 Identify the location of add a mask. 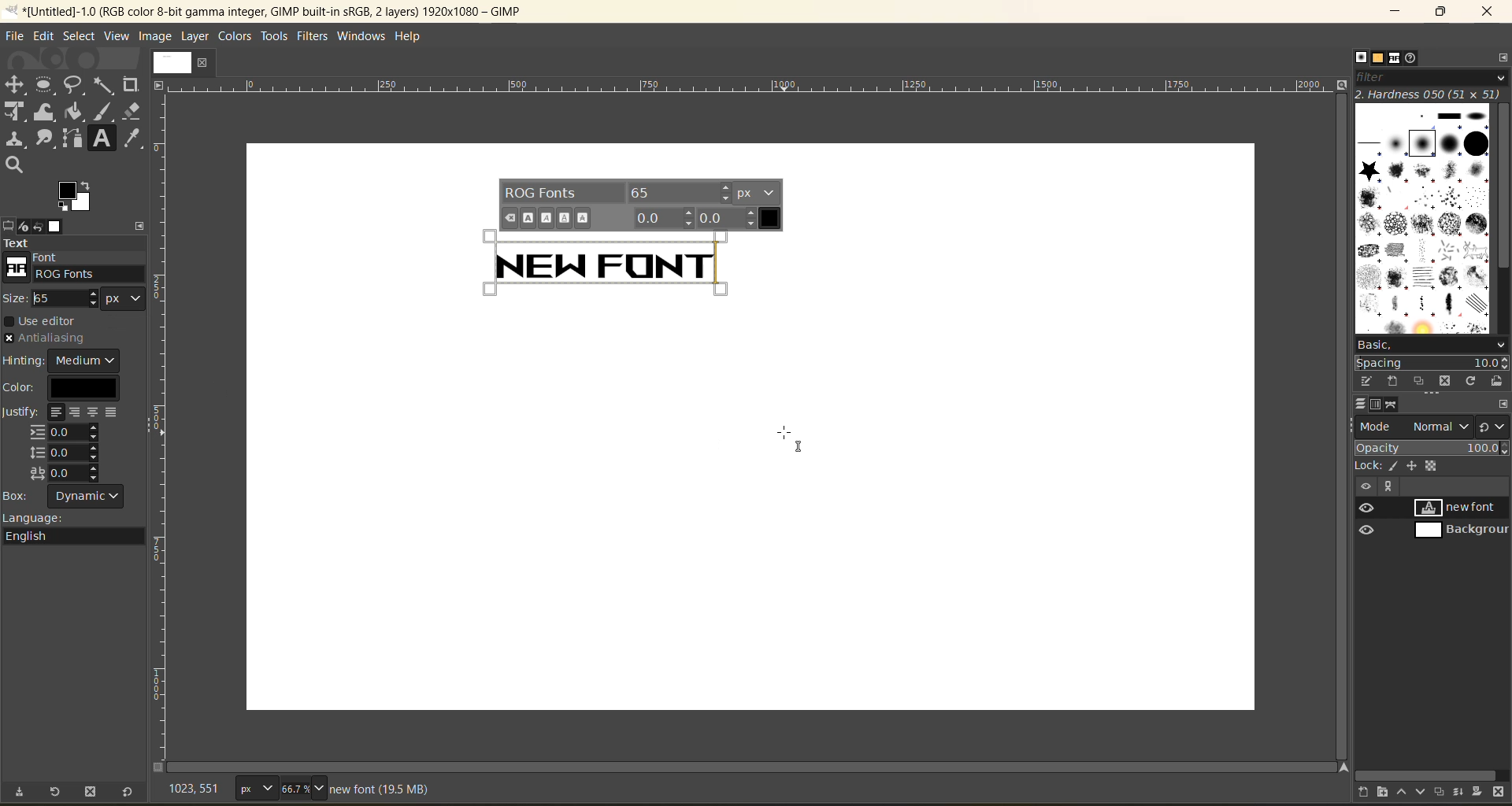
(1481, 792).